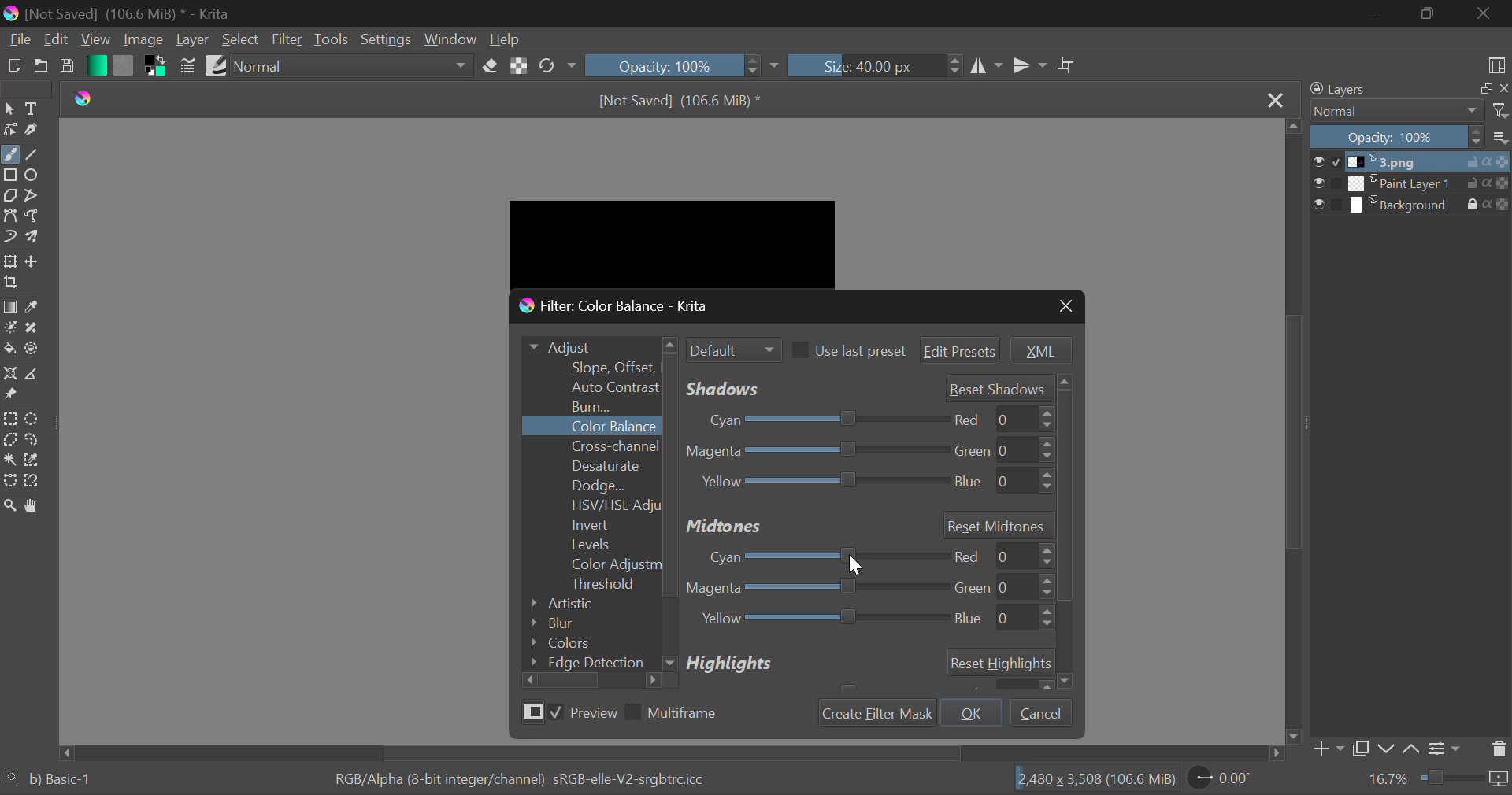 This screenshot has width=1512, height=795. Describe the element at coordinates (586, 642) in the screenshot. I see `Colors` at that location.